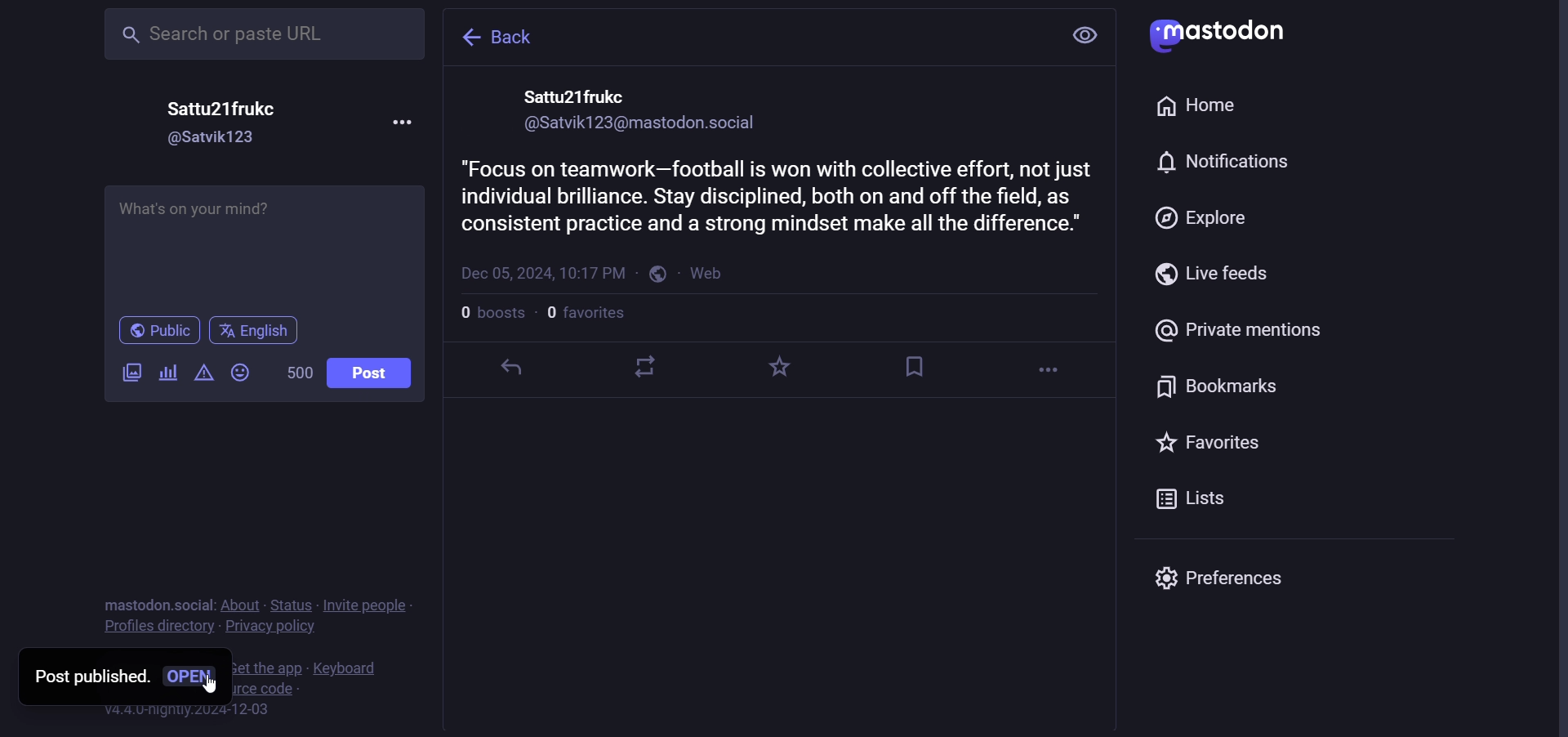  Describe the element at coordinates (272, 245) in the screenshot. I see `football advise` at that location.